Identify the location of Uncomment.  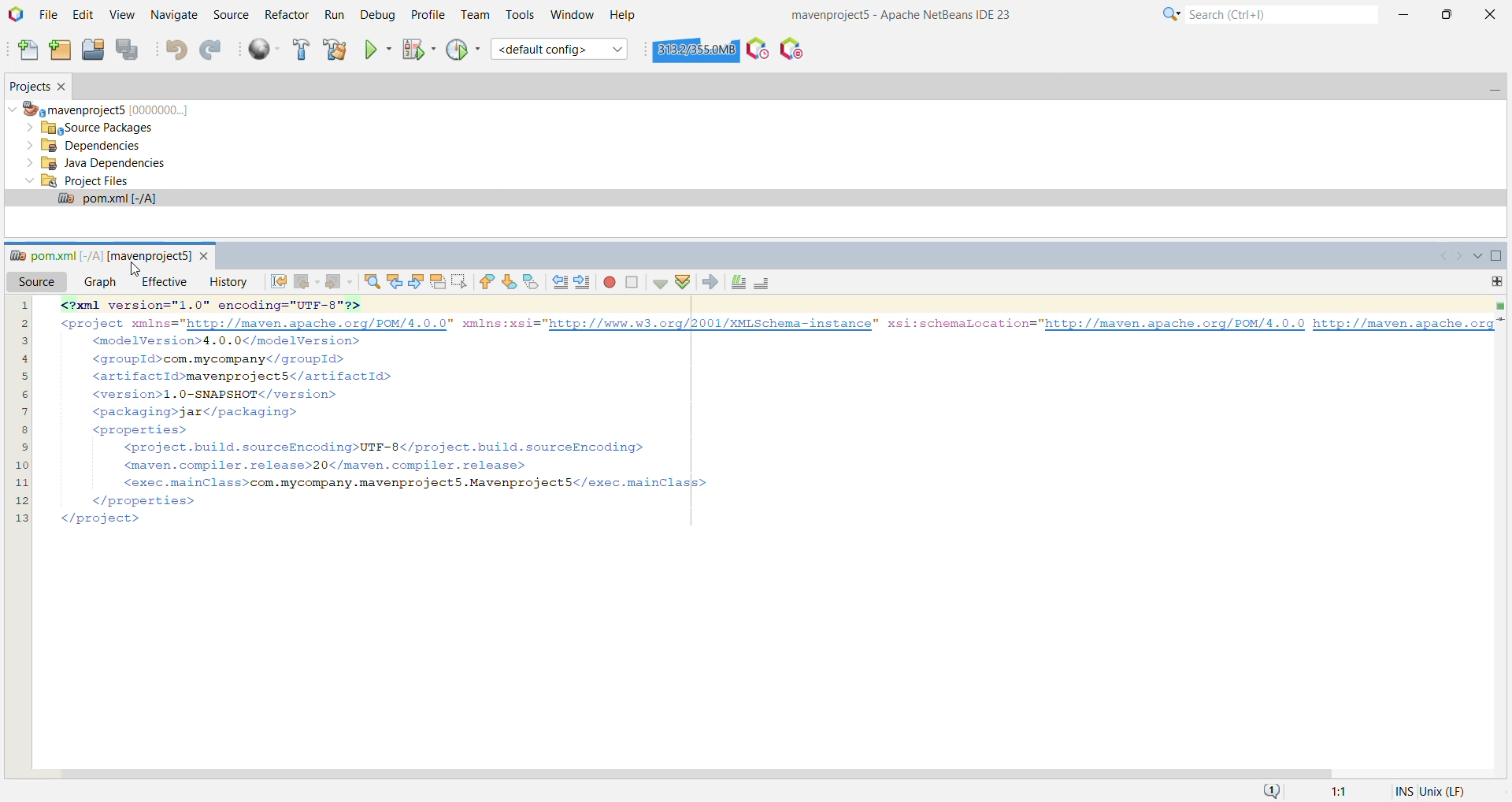
(761, 282).